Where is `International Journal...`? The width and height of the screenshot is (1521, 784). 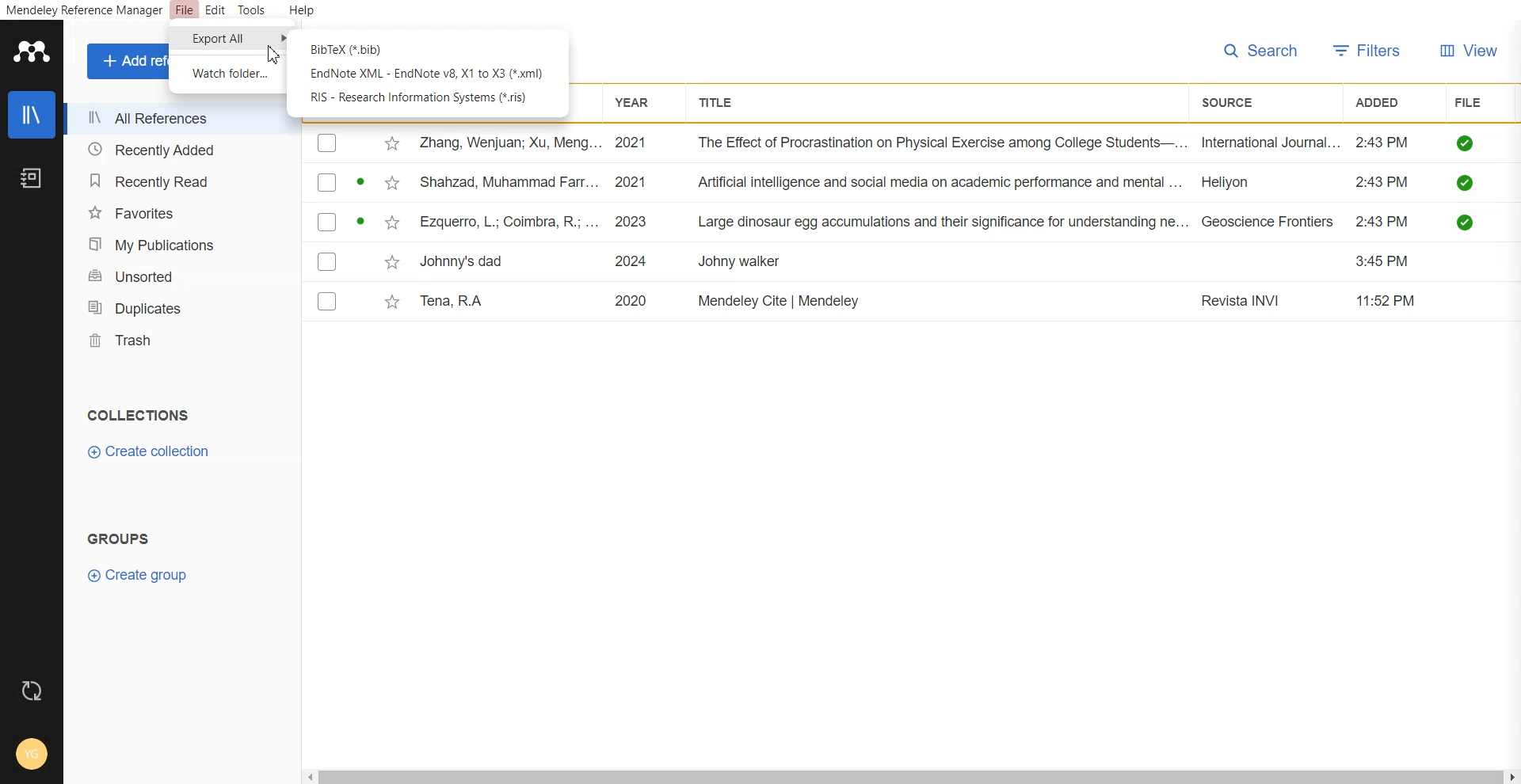 International Journal... is located at coordinates (1271, 143).